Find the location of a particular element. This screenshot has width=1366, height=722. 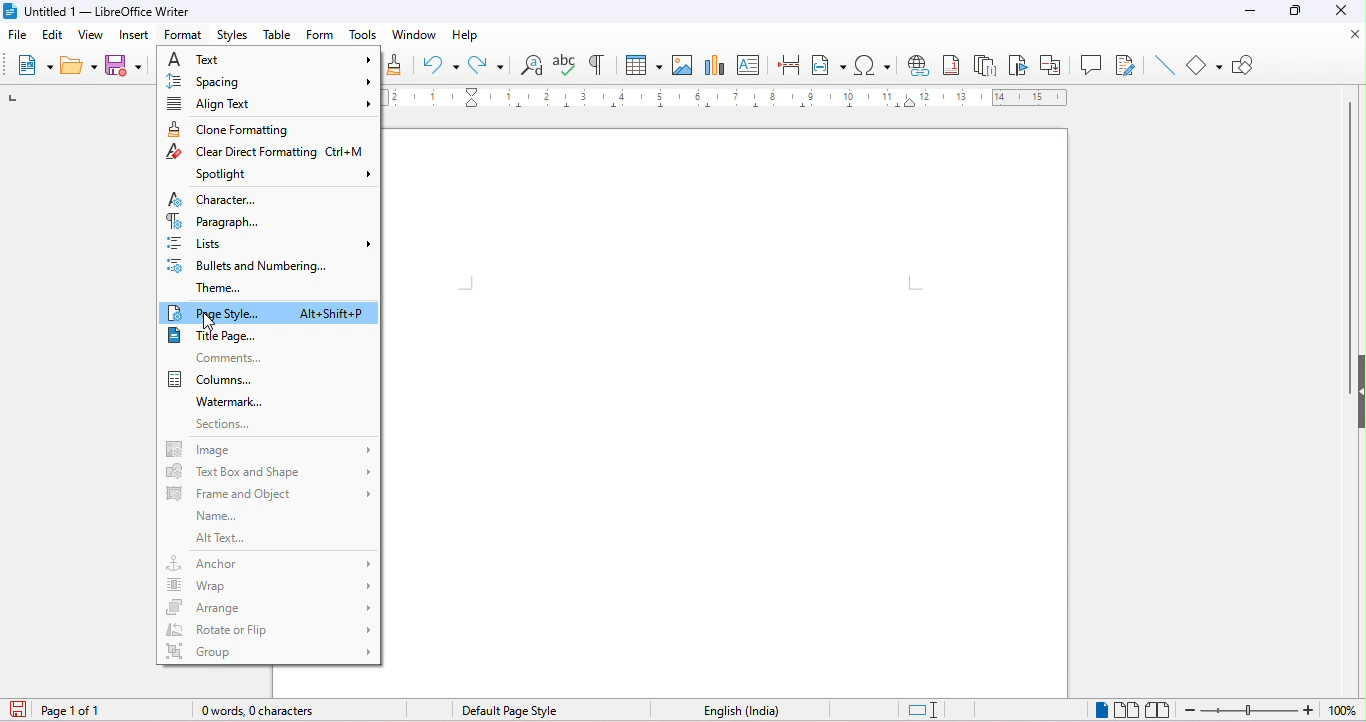

new is located at coordinates (35, 69).